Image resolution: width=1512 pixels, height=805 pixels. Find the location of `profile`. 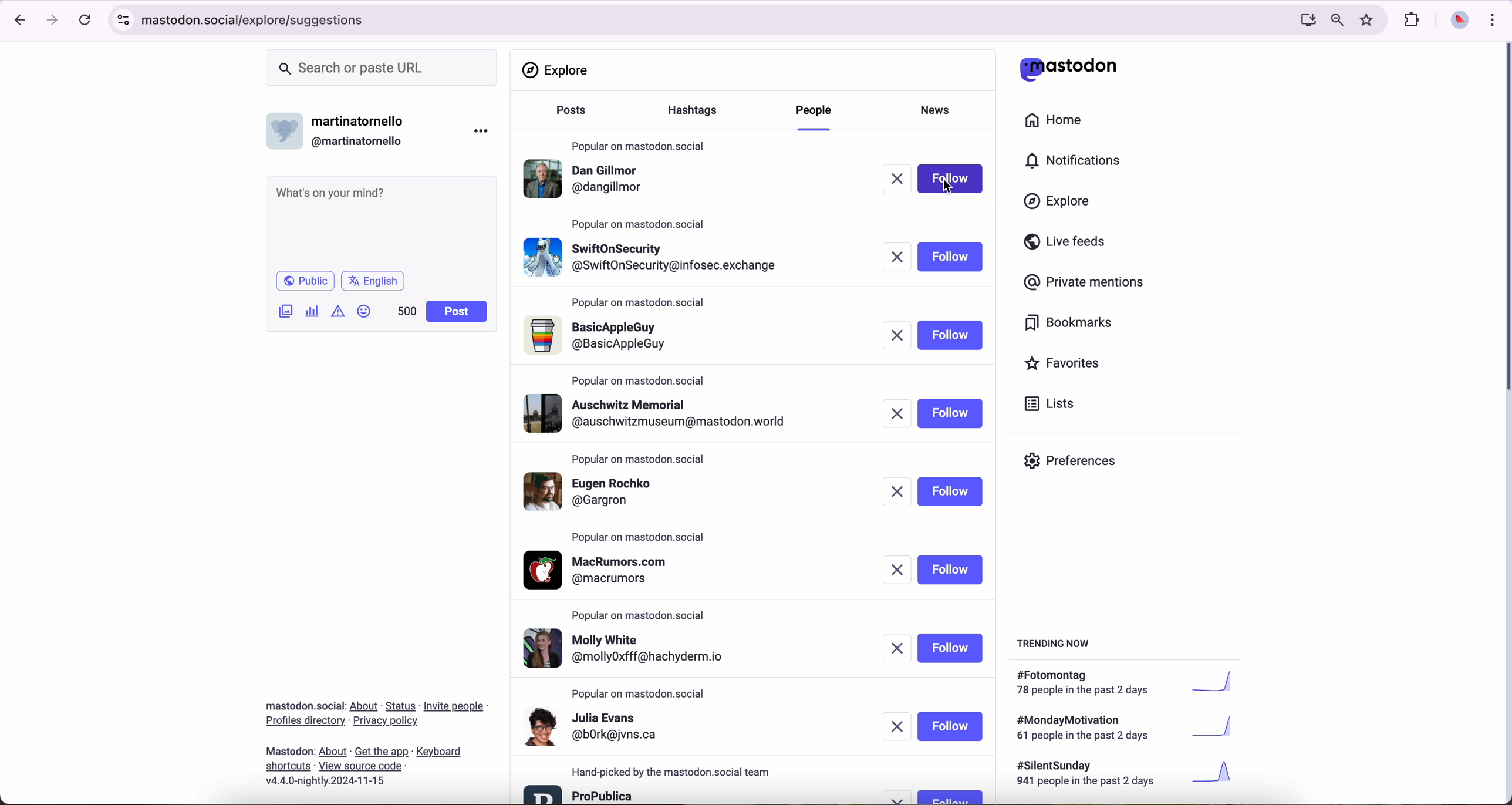

profile is located at coordinates (662, 413).